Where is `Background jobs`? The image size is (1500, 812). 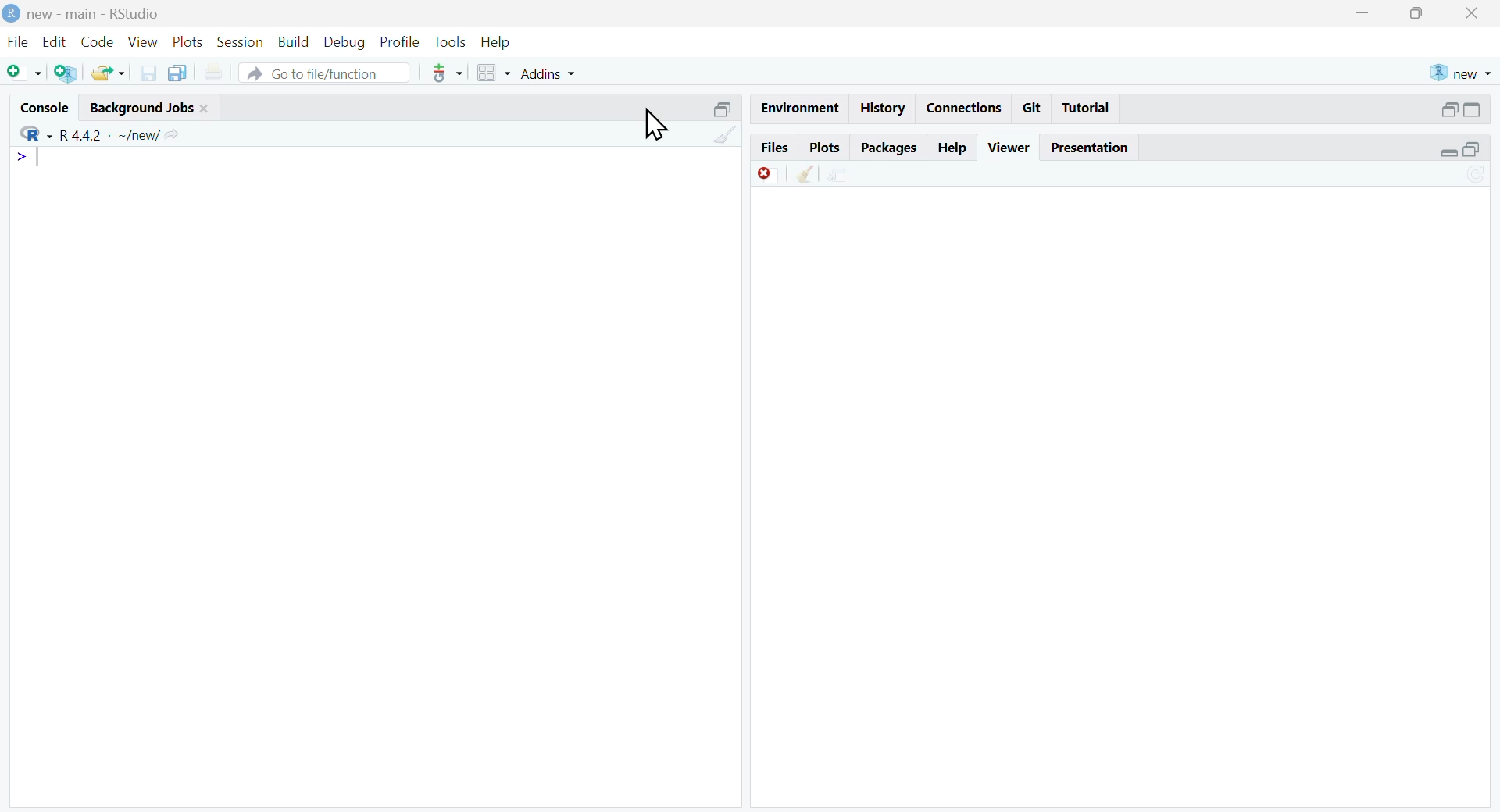
Background jobs is located at coordinates (141, 108).